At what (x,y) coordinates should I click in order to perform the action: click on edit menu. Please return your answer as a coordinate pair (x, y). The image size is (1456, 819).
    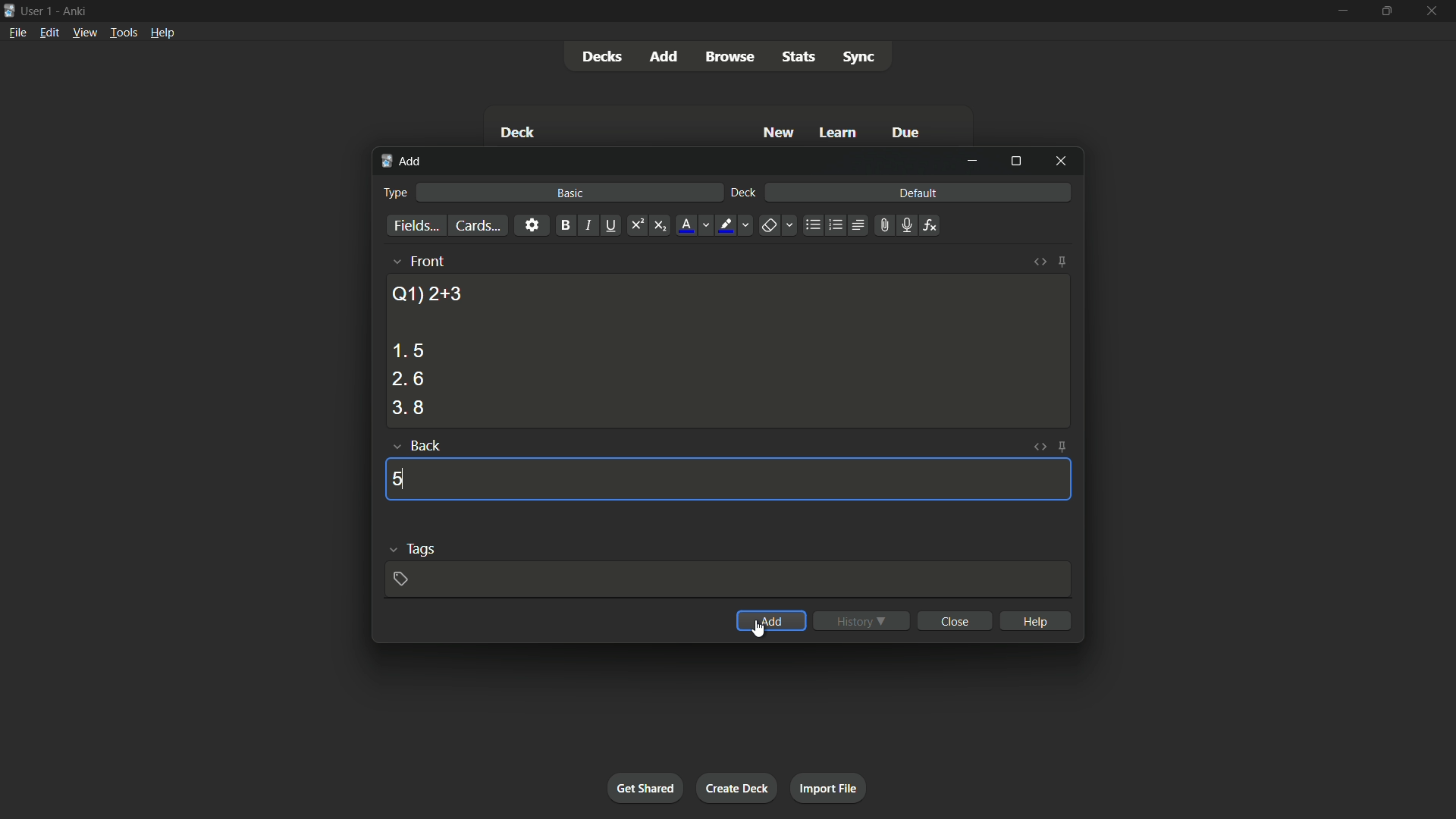
    Looking at the image, I should click on (50, 32).